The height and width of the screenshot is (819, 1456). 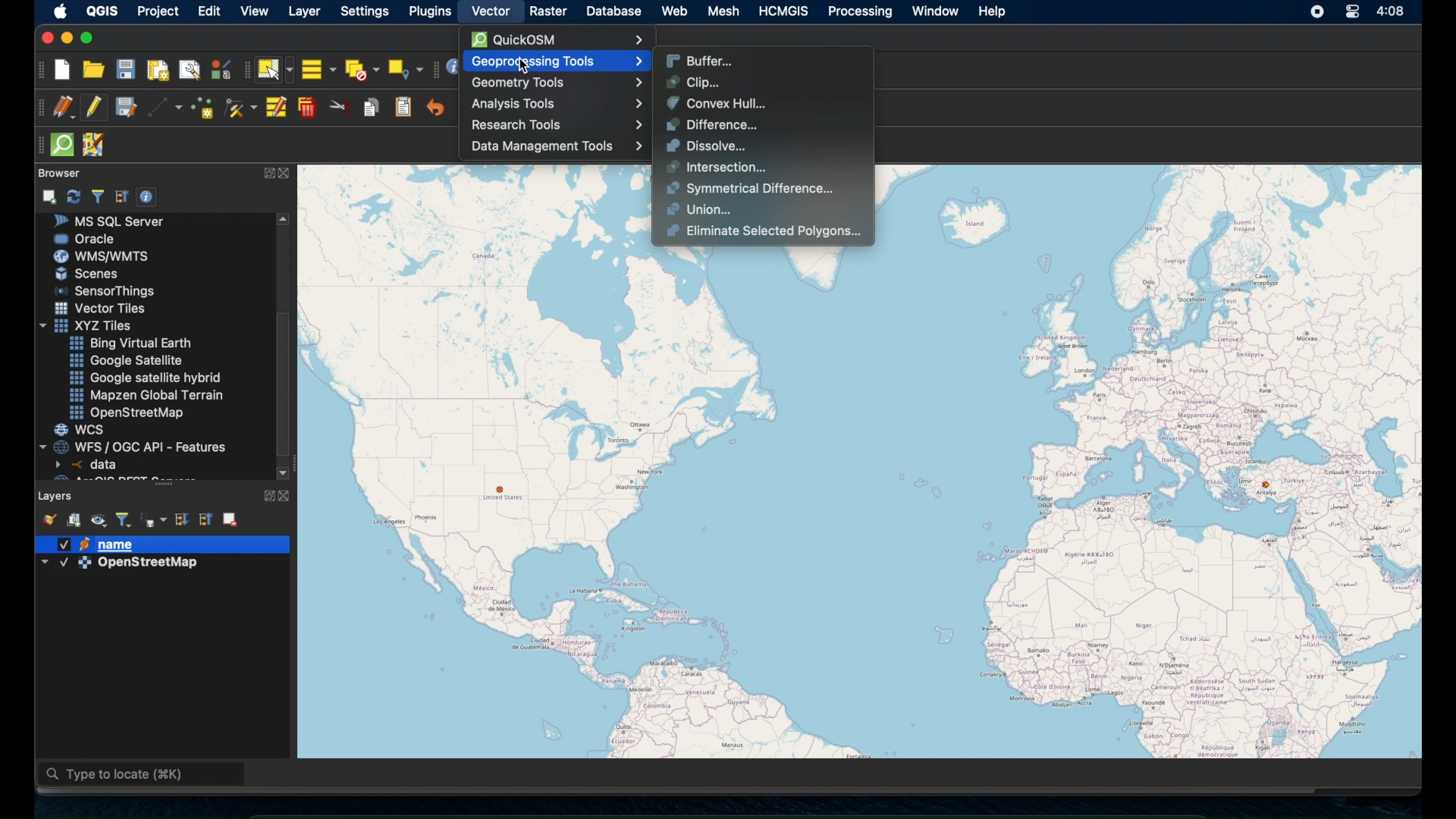 I want to click on layers, so click(x=56, y=494).